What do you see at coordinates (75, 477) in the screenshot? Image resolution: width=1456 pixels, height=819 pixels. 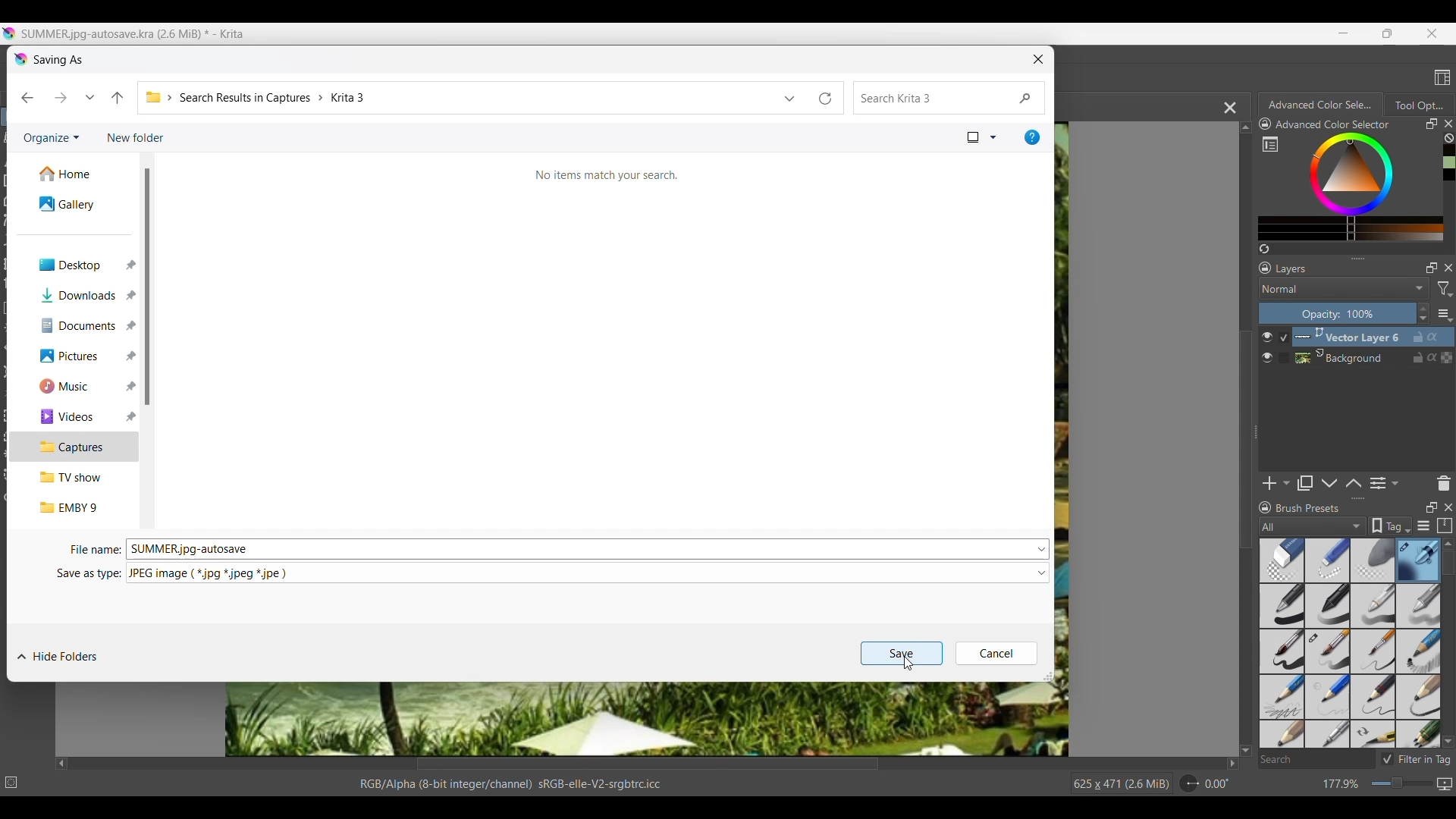 I see `TV show folder` at bounding box center [75, 477].